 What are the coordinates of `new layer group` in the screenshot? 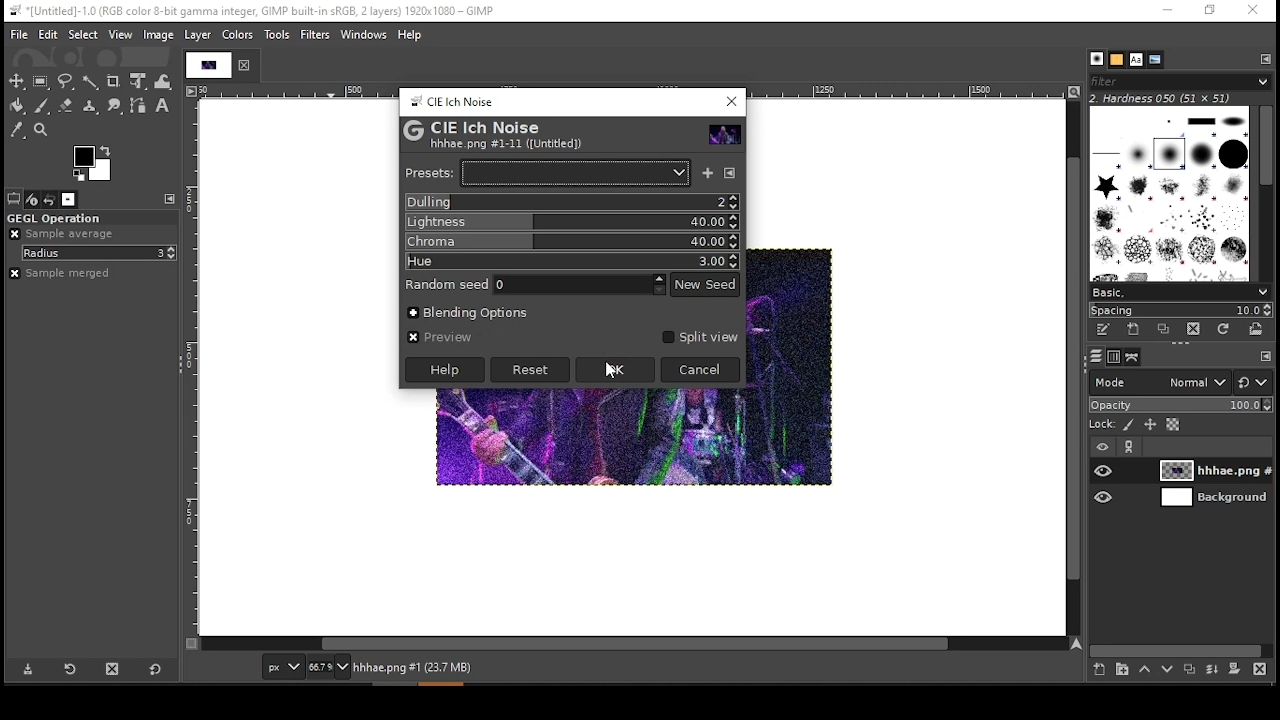 It's located at (1120, 670).